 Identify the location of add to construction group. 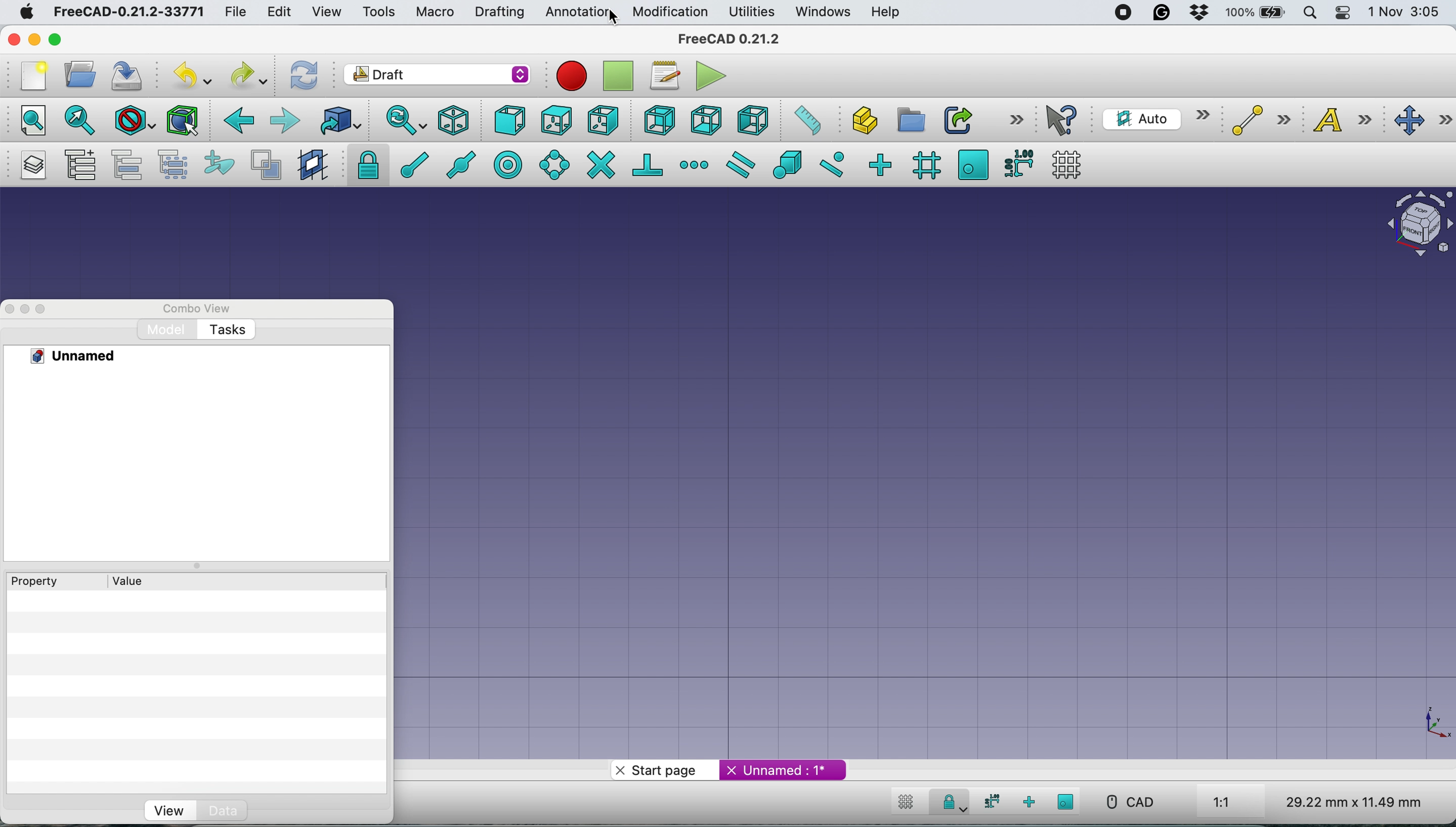
(218, 165).